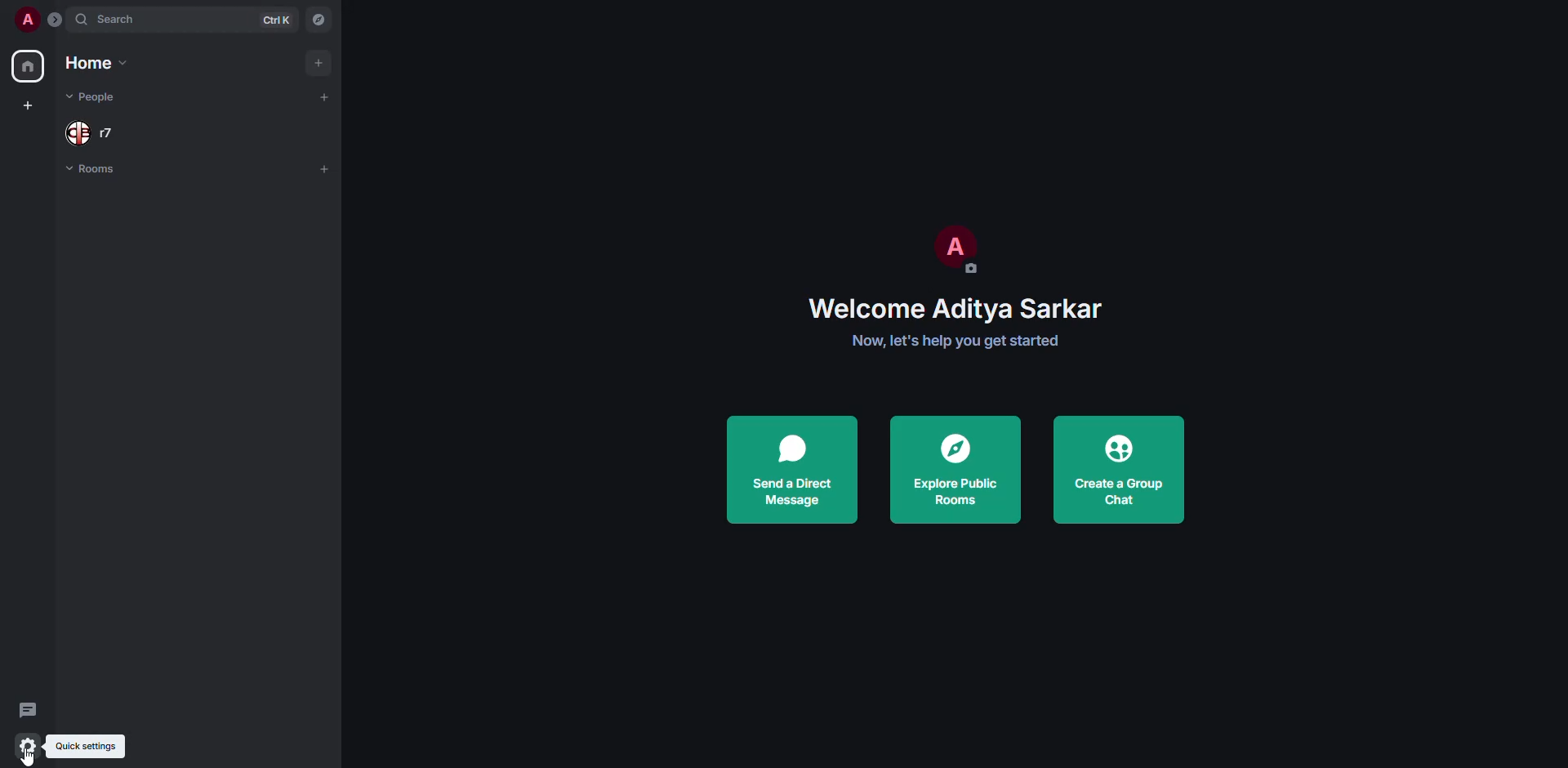  Describe the element at coordinates (27, 708) in the screenshot. I see `threads` at that location.